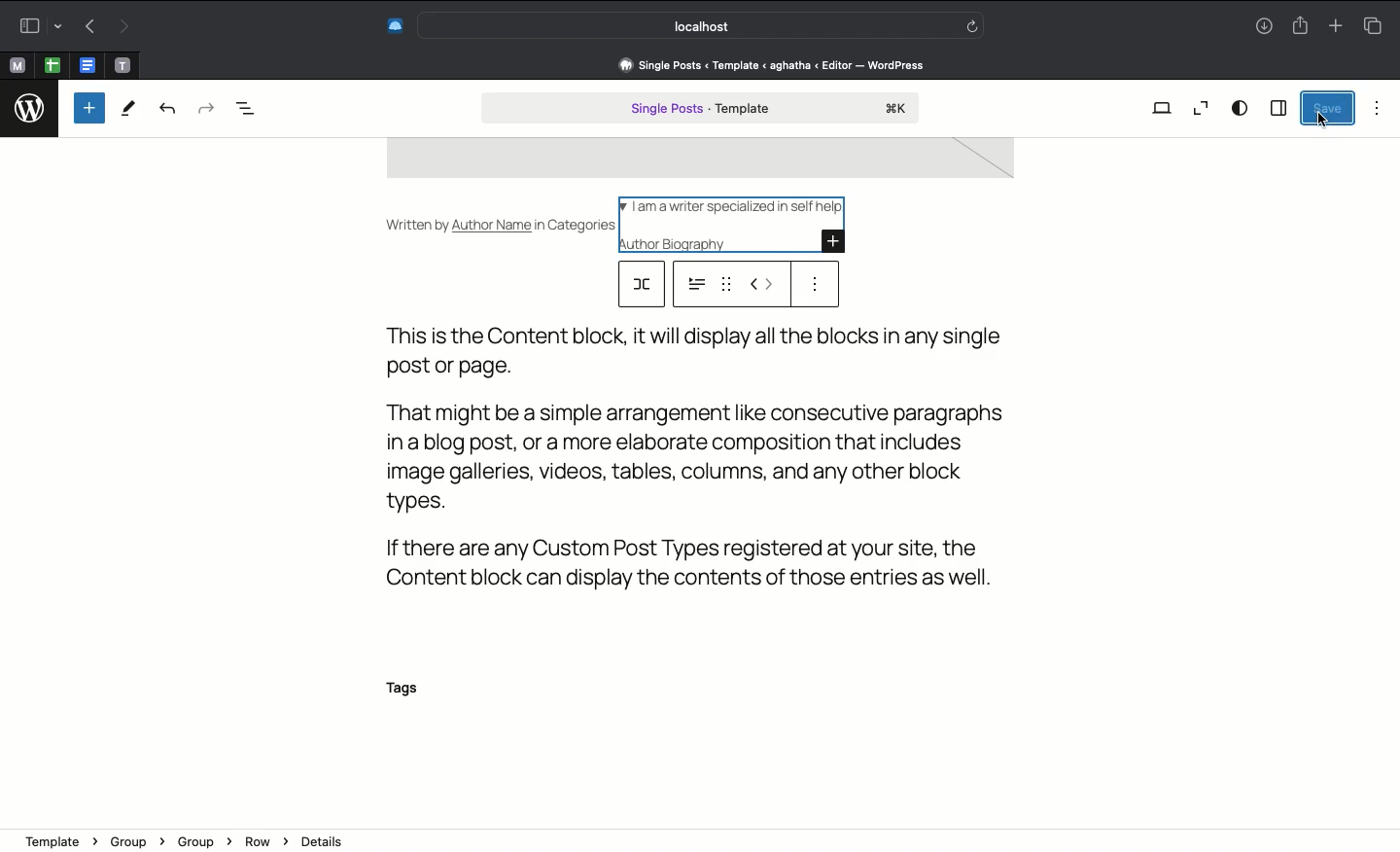  I want to click on Text, so click(706, 453).